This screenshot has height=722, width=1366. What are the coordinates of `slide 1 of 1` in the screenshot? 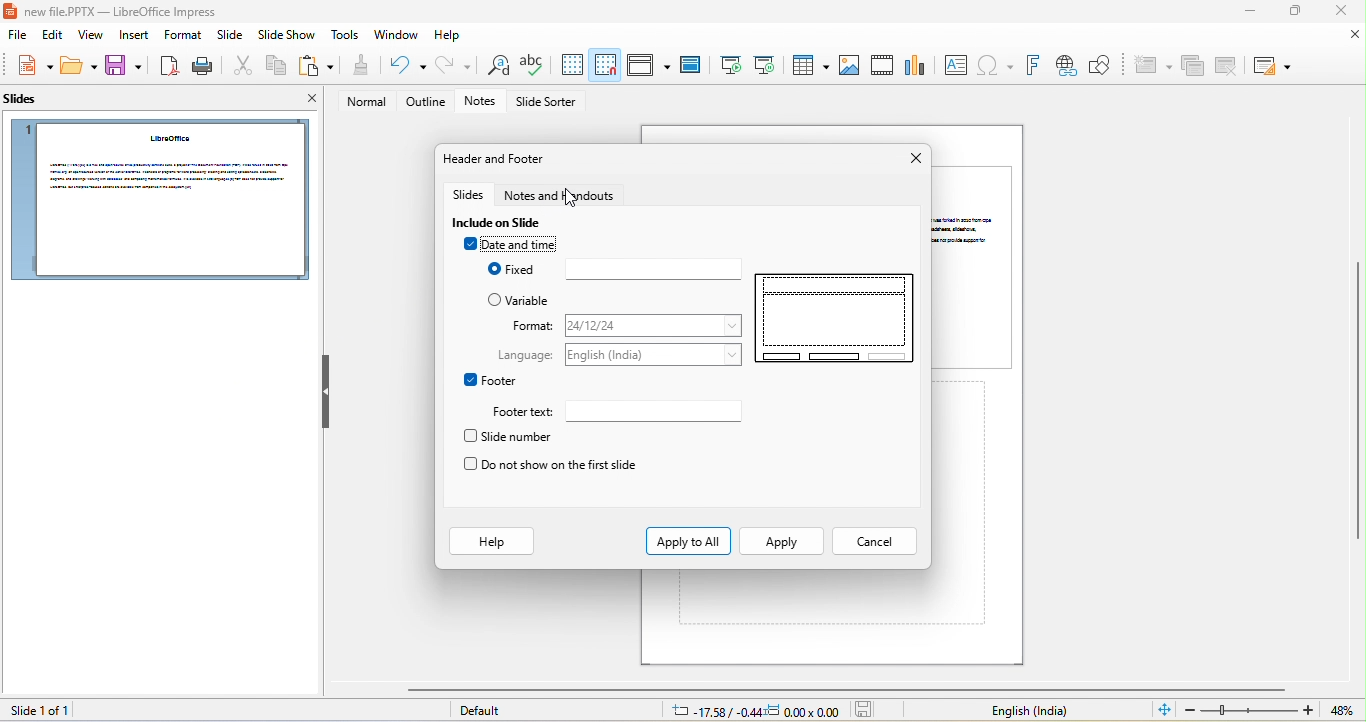 It's located at (37, 710).